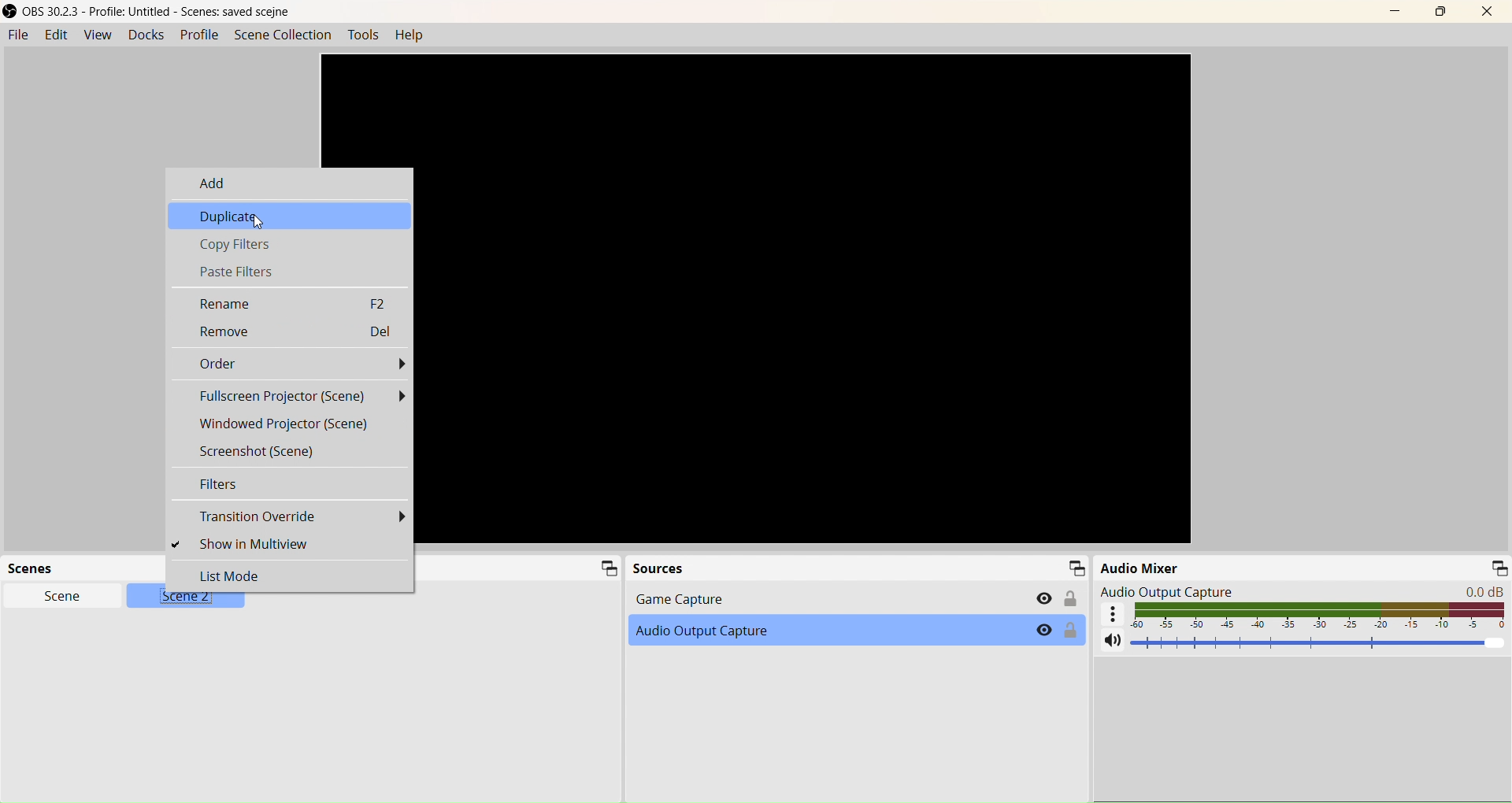 The image size is (1512, 803). Describe the element at coordinates (185, 599) in the screenshot. I see `Scene 2` at that location.